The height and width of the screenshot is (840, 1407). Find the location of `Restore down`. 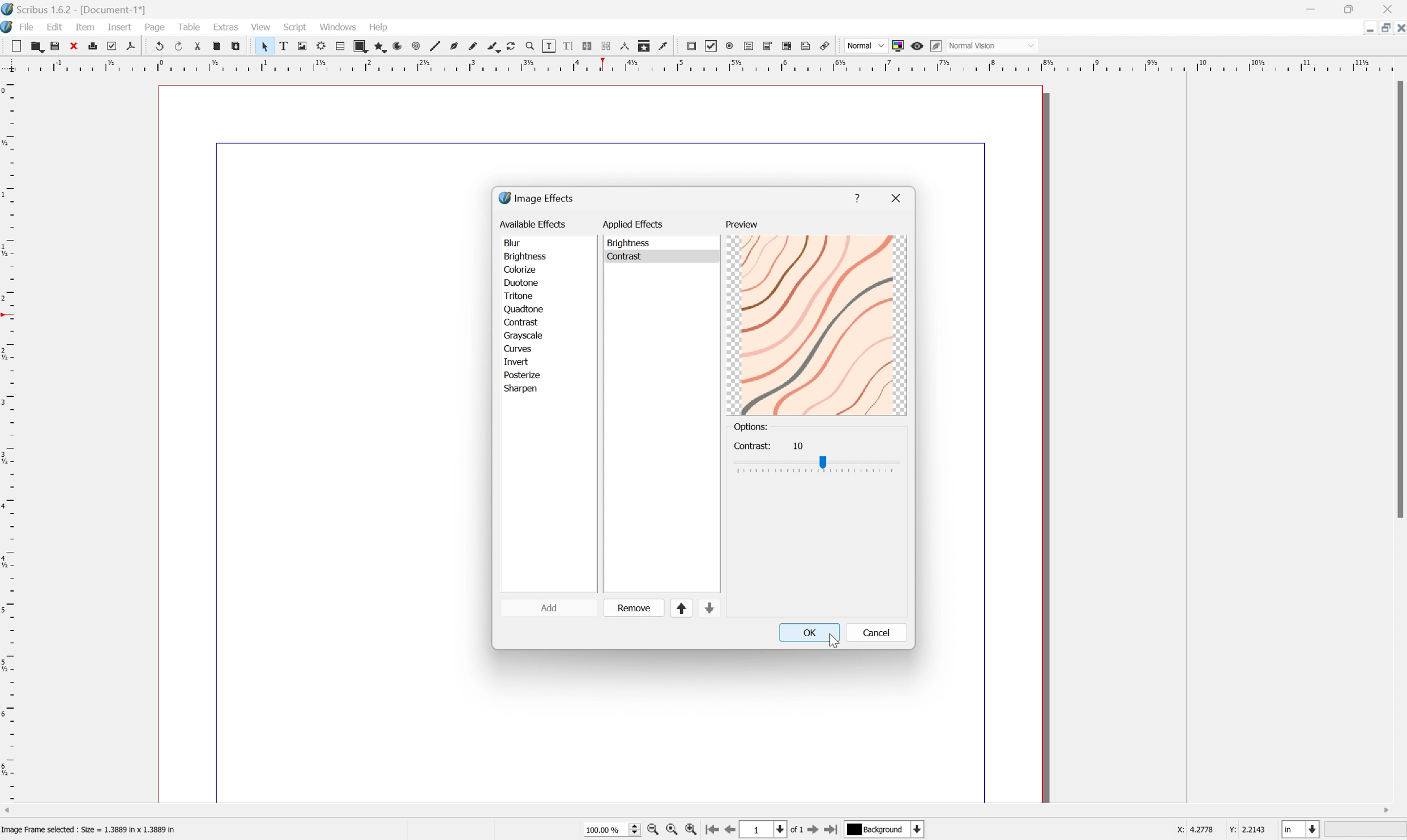

Restore down is located at coordinates (1353, 8).